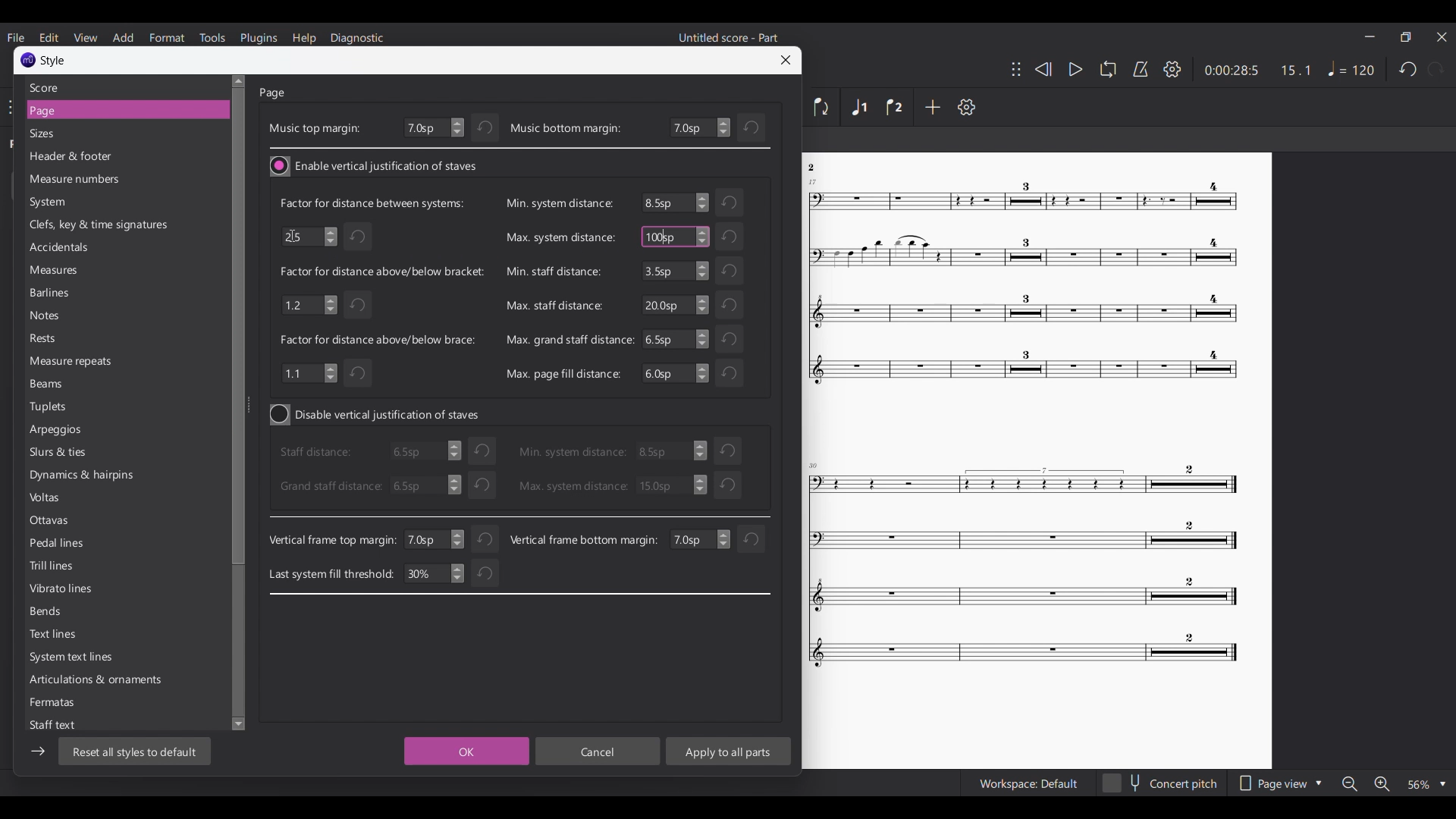  What do you see at coordinates (1076, 70) in the screenshot?
I see `Play` at bounding box center [1076, 70].